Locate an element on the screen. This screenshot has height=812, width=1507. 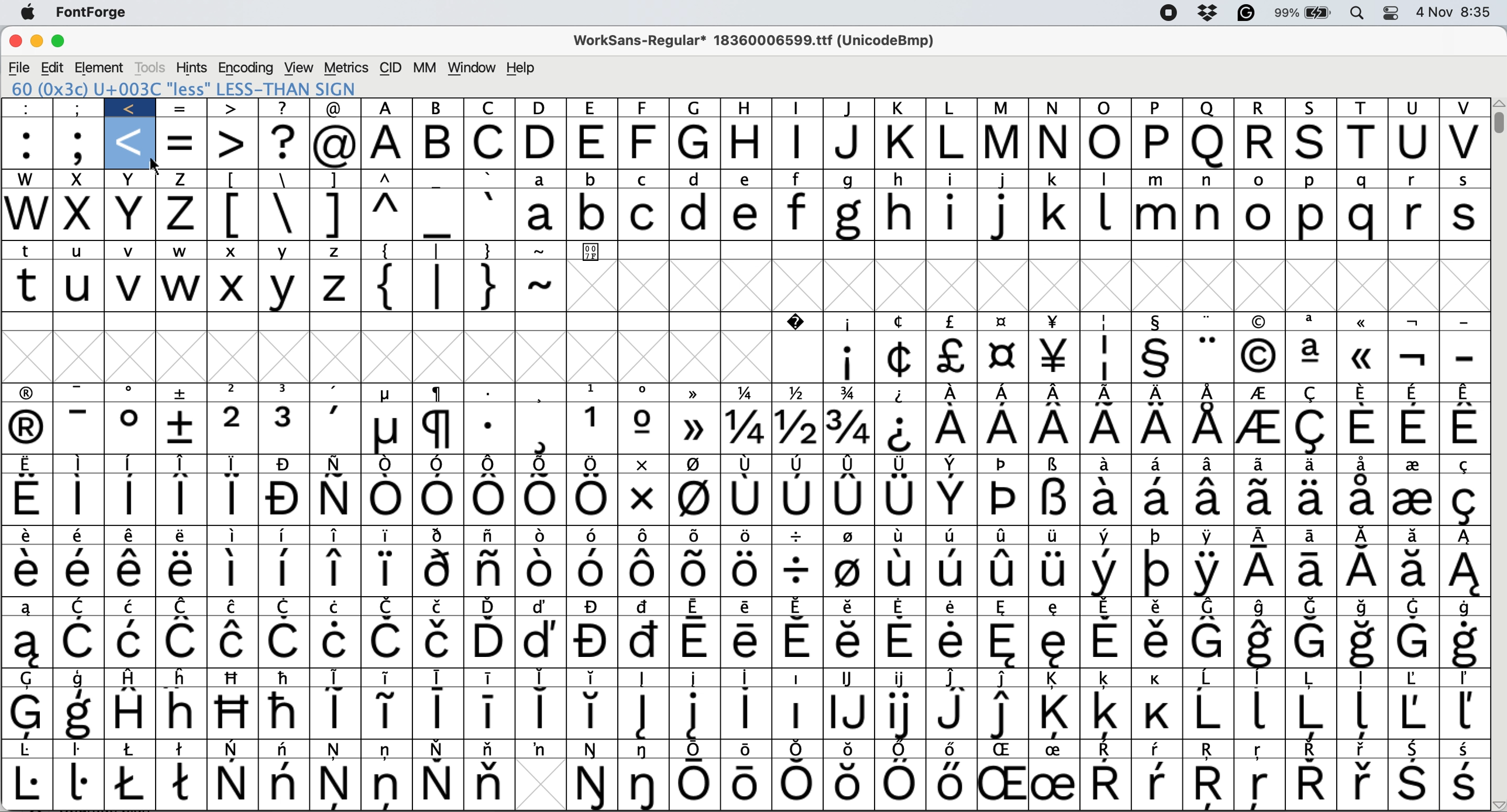
c is located at coordinates (642, 215).